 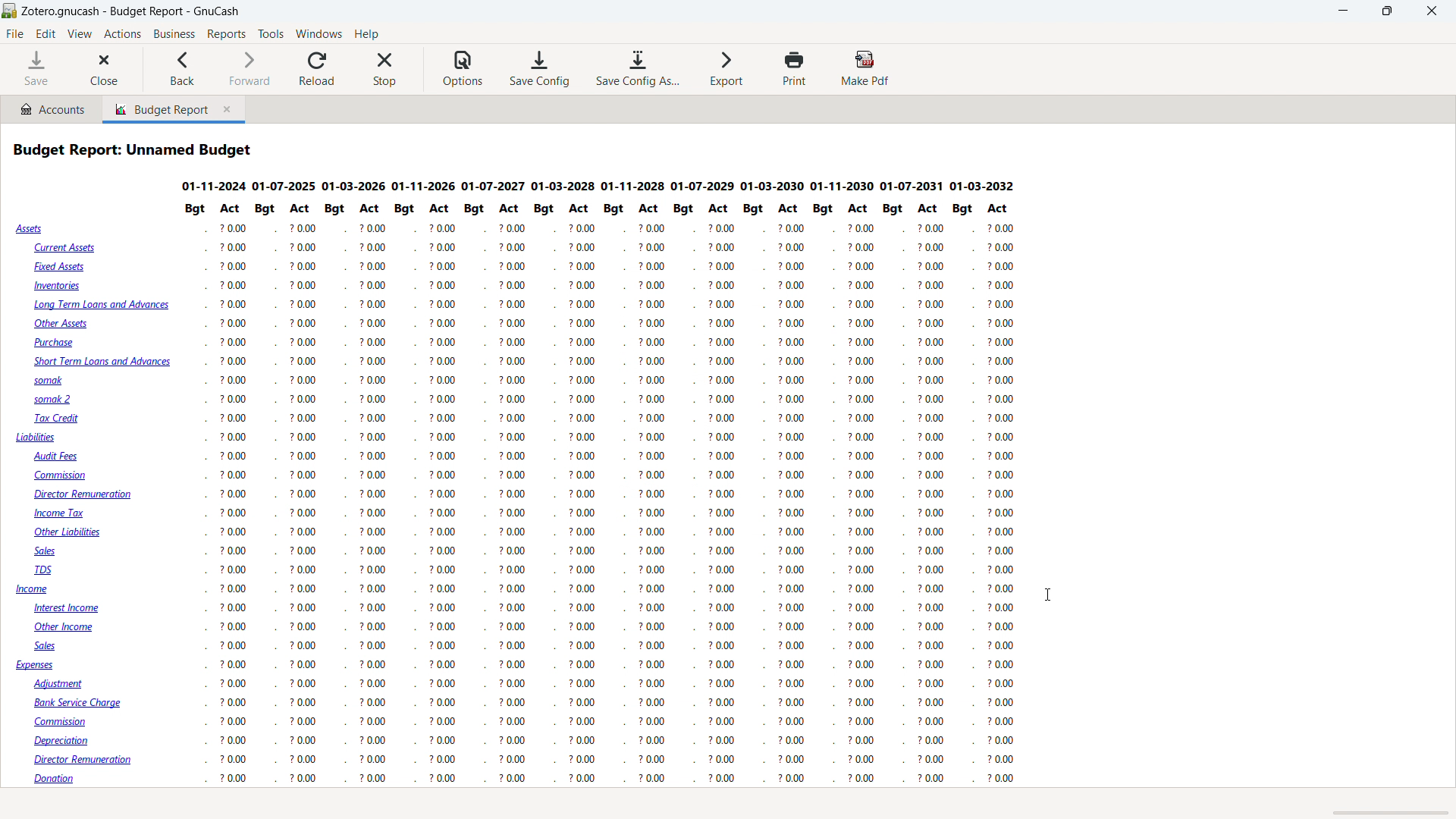 What do you see at coordinates (65, 683) in the screenshot?
I see `Adjustment` at bounding box center [65, 683].